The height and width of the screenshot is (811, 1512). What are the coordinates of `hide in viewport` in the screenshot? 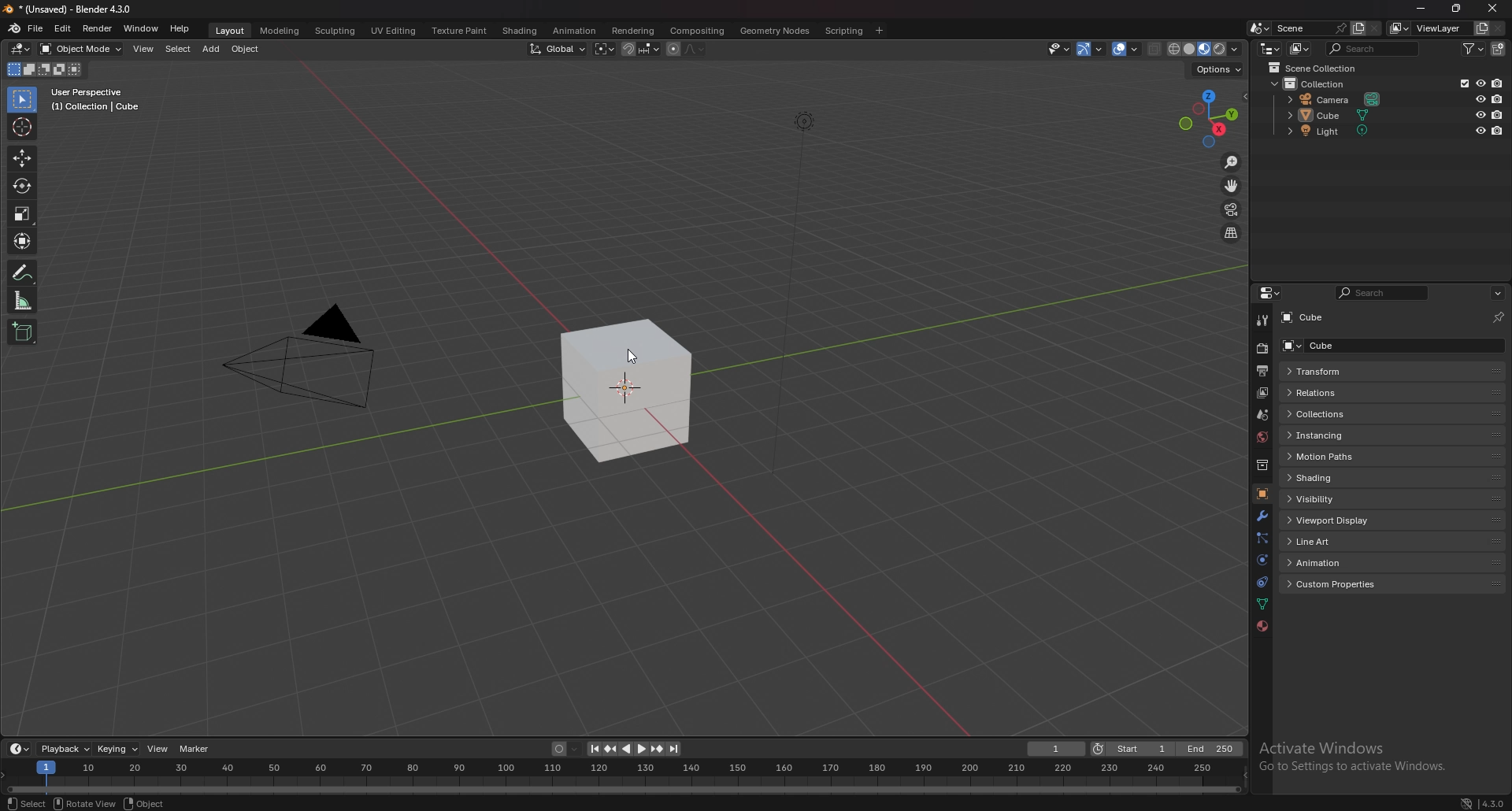 It's located at (1480, 131).